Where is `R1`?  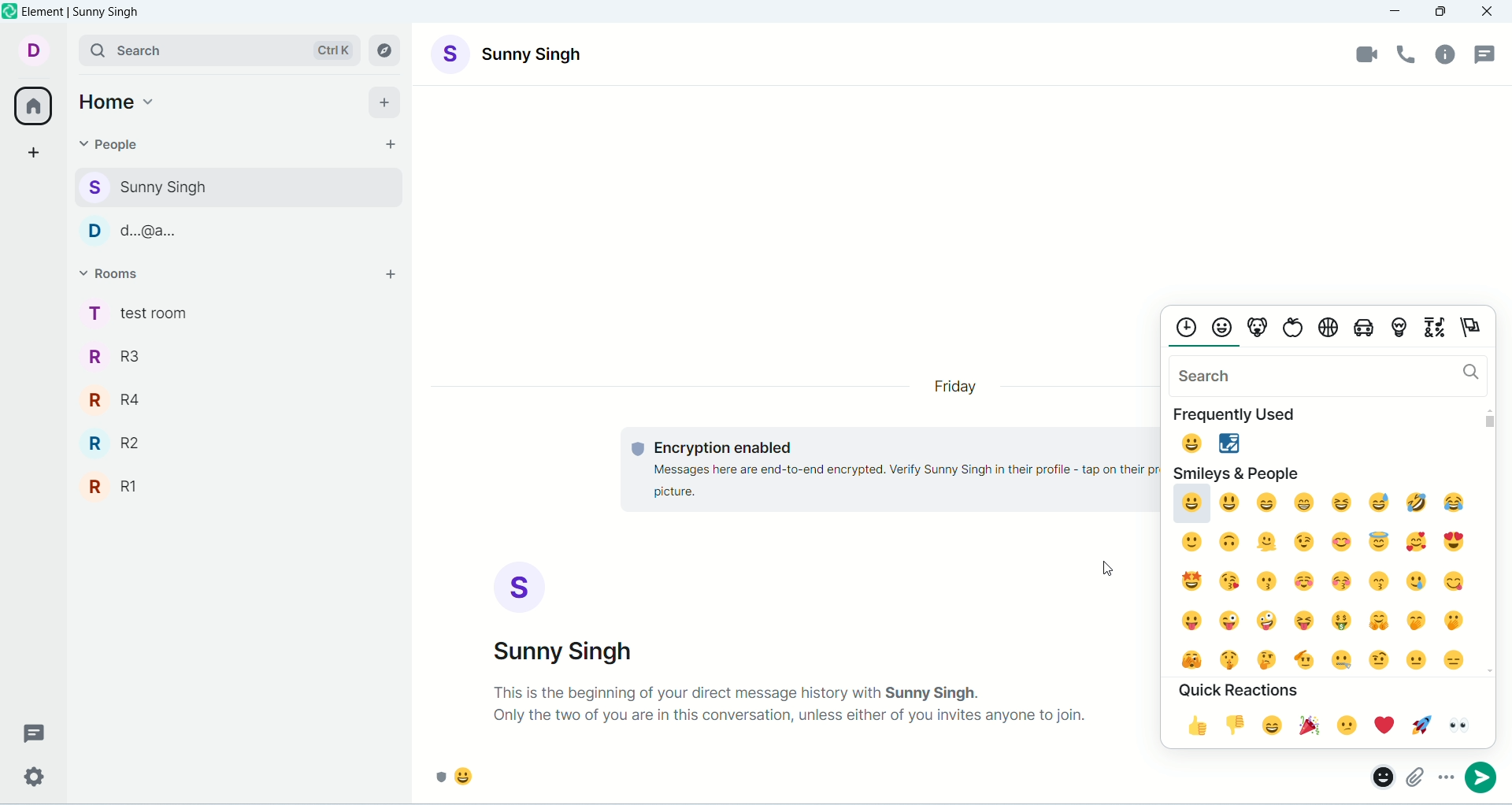
R1 is located at coordinates (239, 482).